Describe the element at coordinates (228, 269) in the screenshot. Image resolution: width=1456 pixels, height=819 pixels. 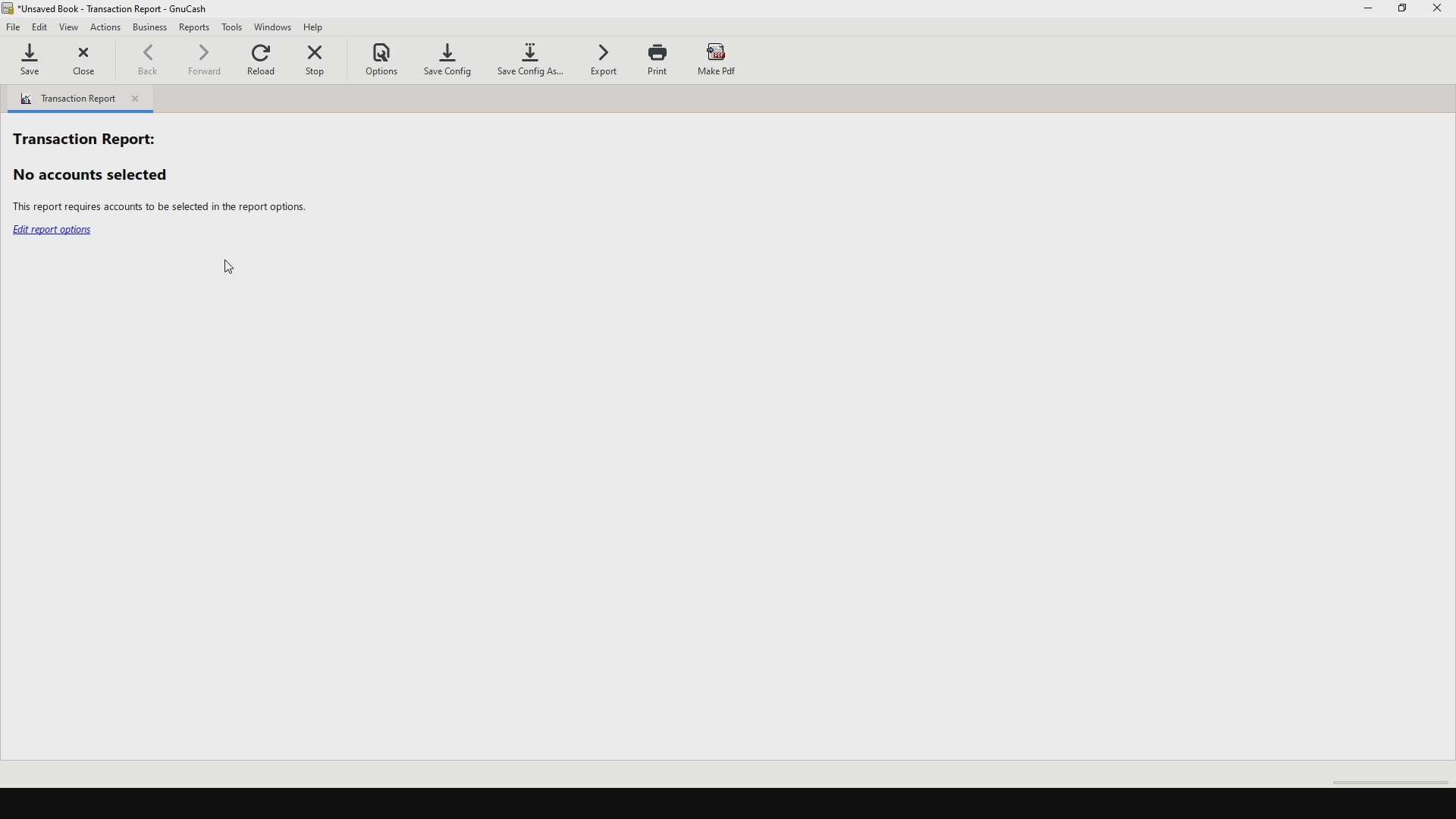
I see `cursor` at that location.